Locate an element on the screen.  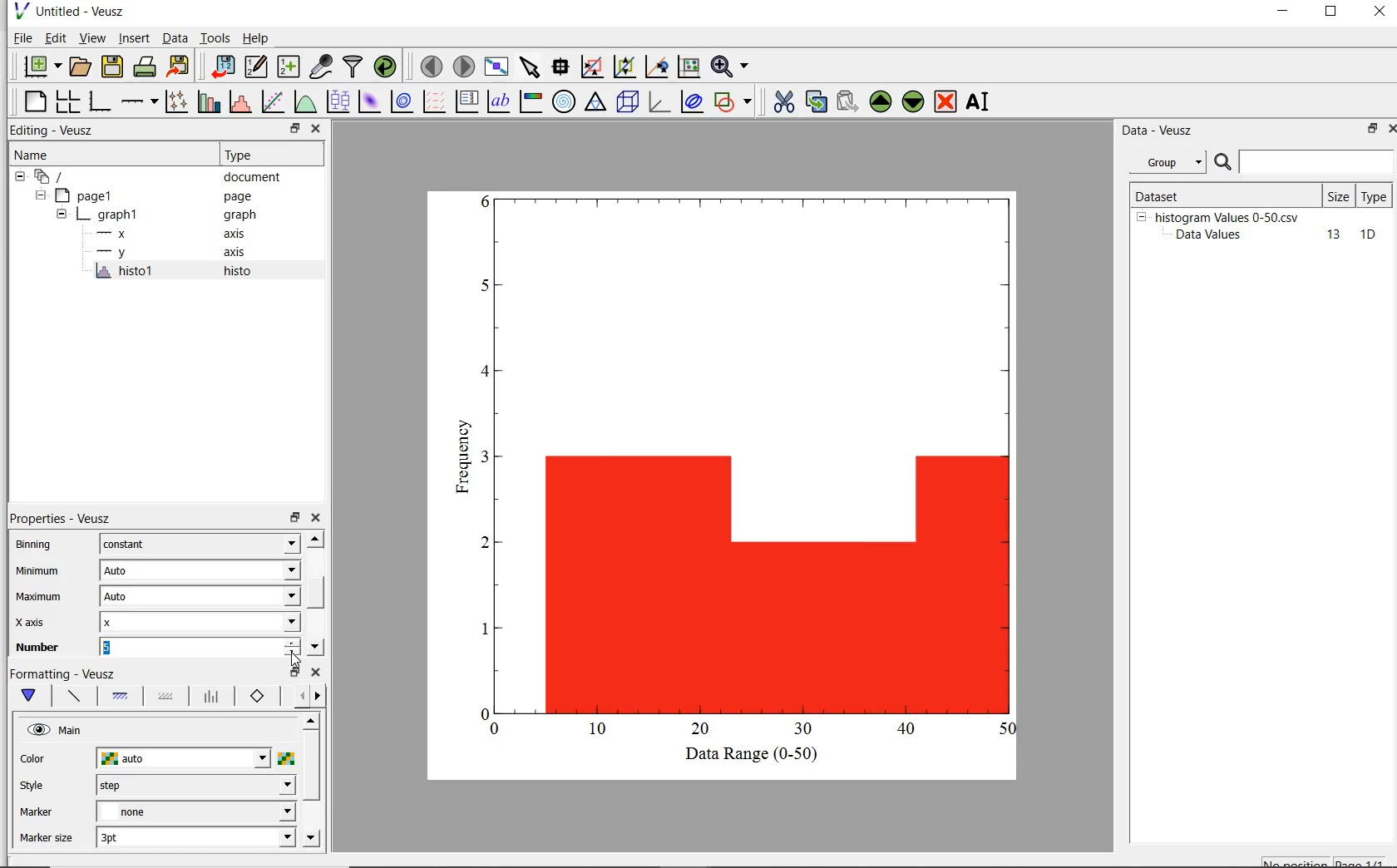
3d graph is located at coordinates (659, 102).